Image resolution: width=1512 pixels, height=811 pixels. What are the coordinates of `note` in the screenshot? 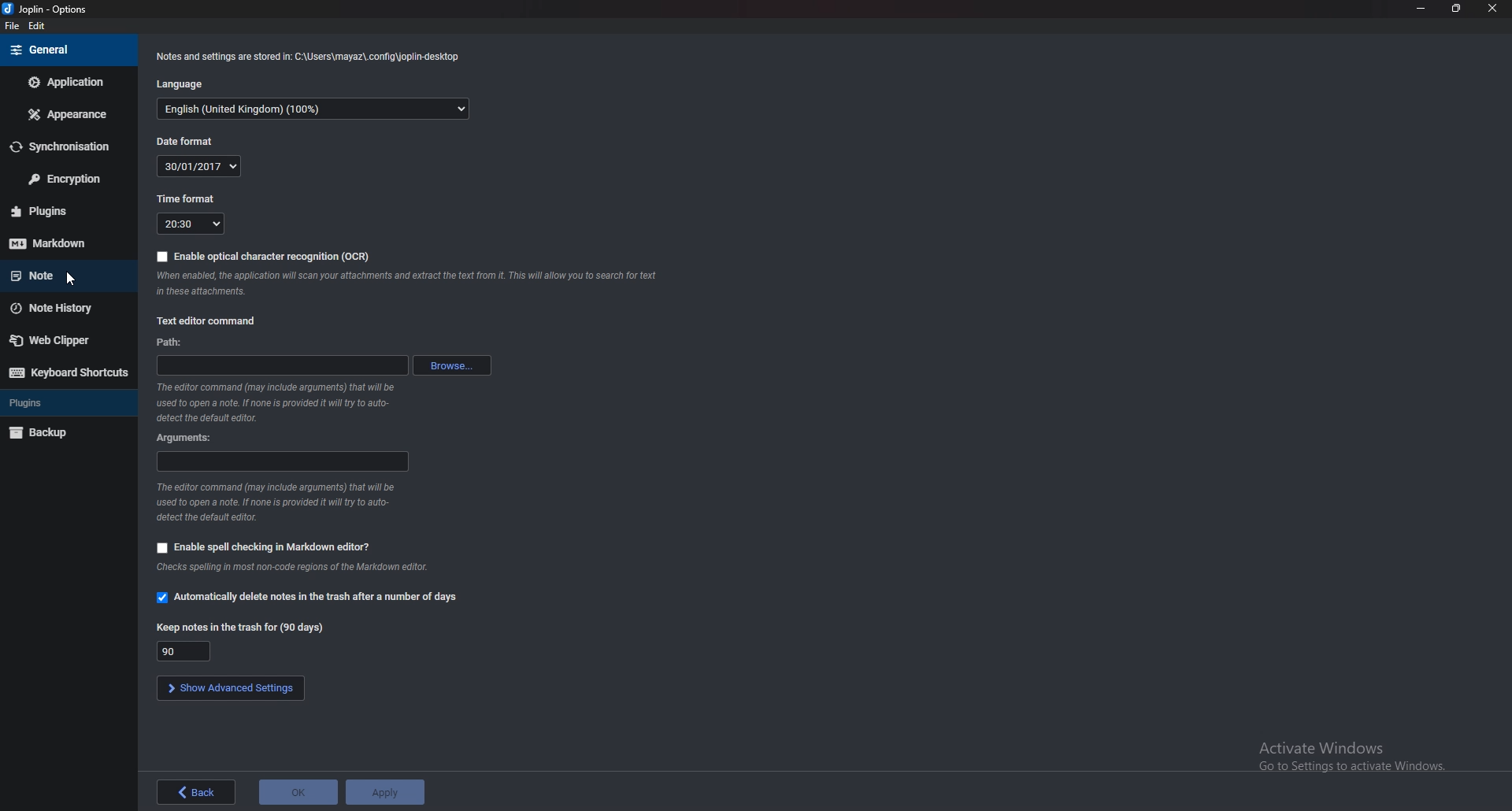 It's located at (61, 274).